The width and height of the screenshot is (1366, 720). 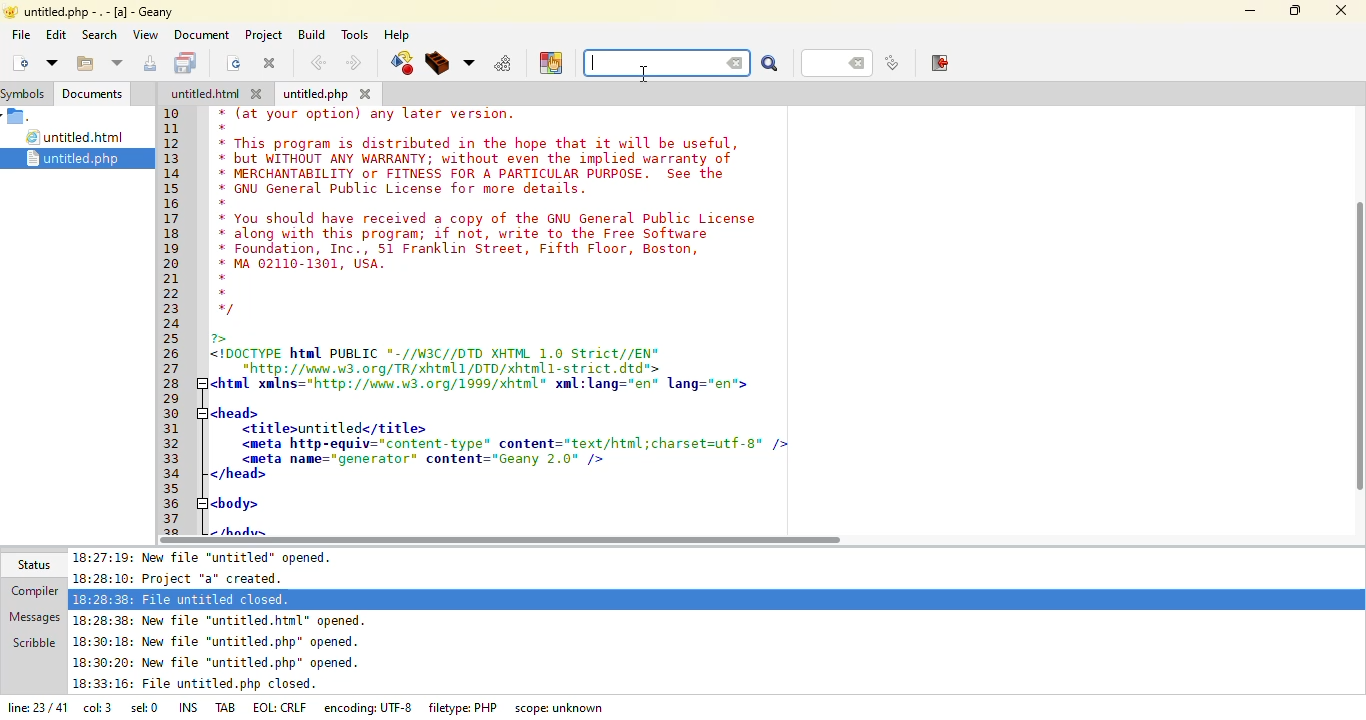 What do you see at coordinates (195, 686) in the screenshot?
I see `18:33:16: file untitled.php closed.` at bounding box center [195, 686].